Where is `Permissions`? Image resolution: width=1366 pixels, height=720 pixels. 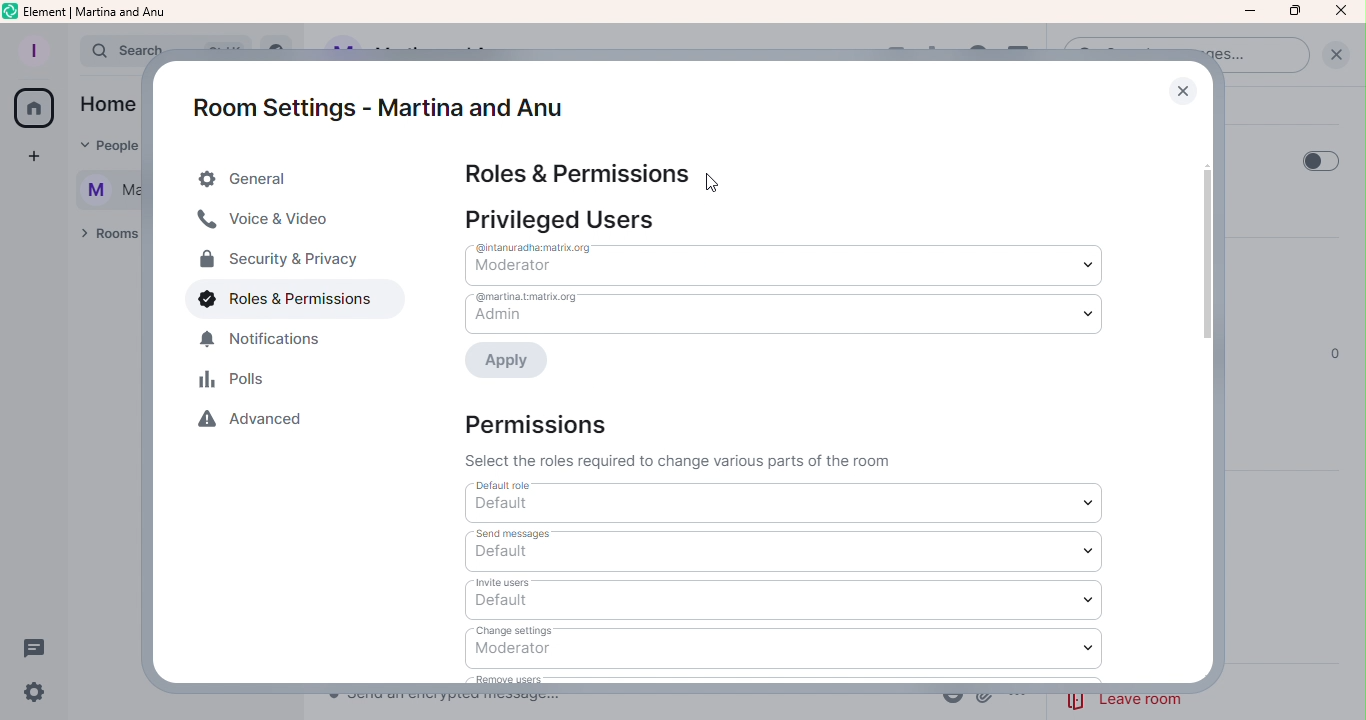 Permissions is located at coordinates (679, 440).